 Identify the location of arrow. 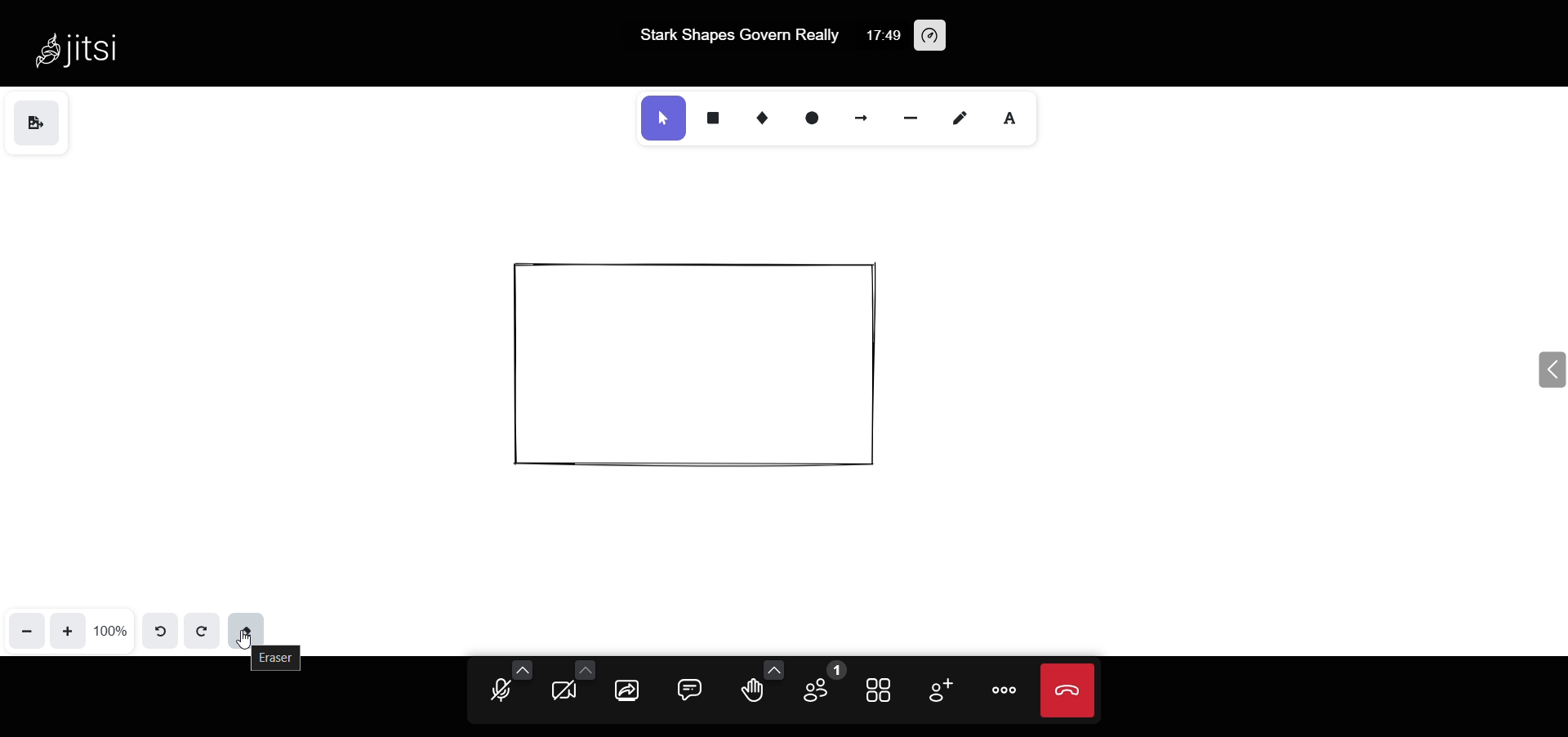
(862, 118).